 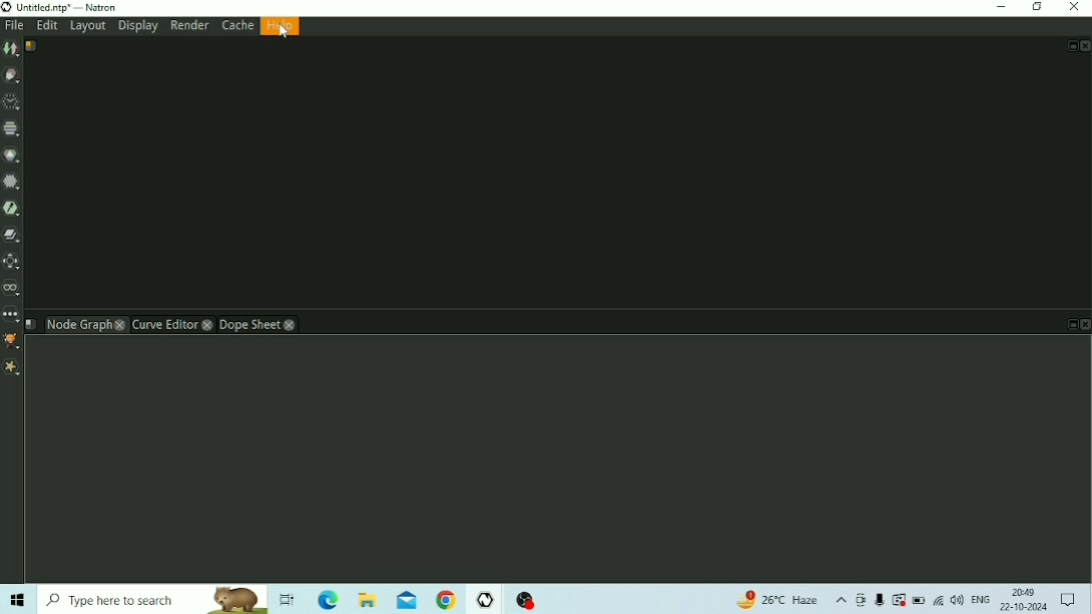 What do you see at coordinates (281, 28) in the screenshot?
I see `Help` at bounding box center [281, 28].